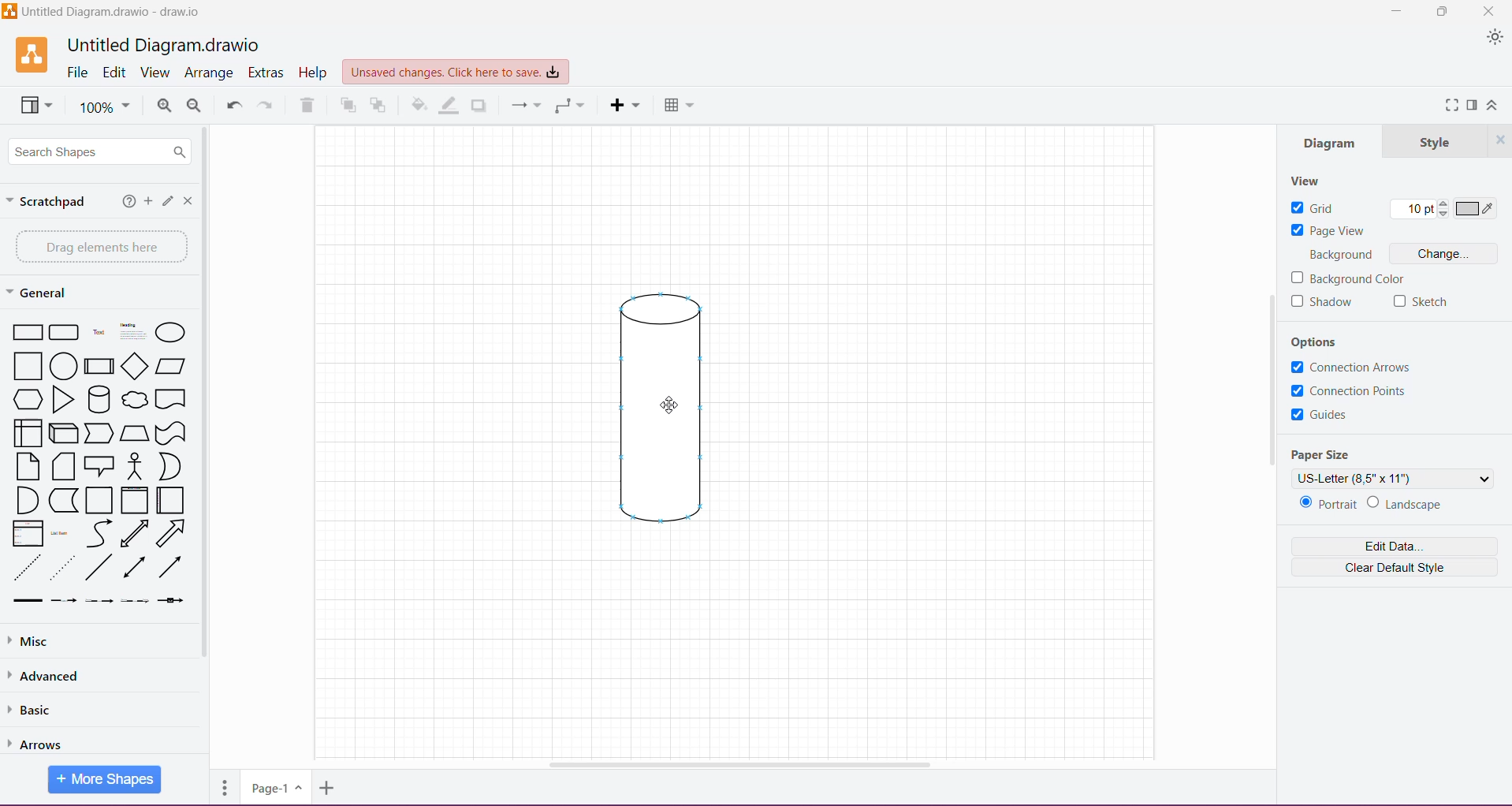 The width and height of the screenshot is (1512, 806). I want to click on Close, so click(1492, 12).